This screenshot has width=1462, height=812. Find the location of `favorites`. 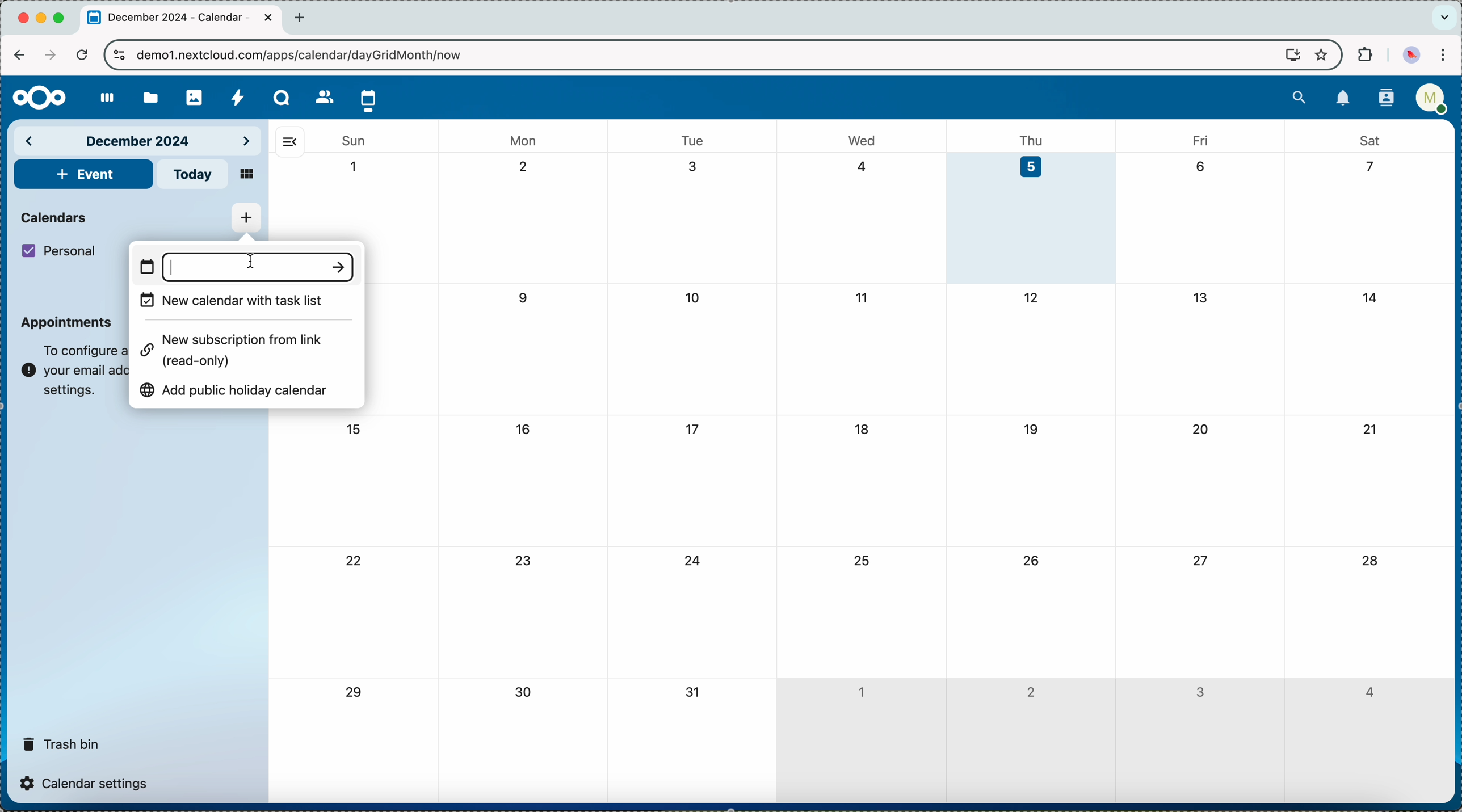

favorites is located at coordinates (1320, 54).